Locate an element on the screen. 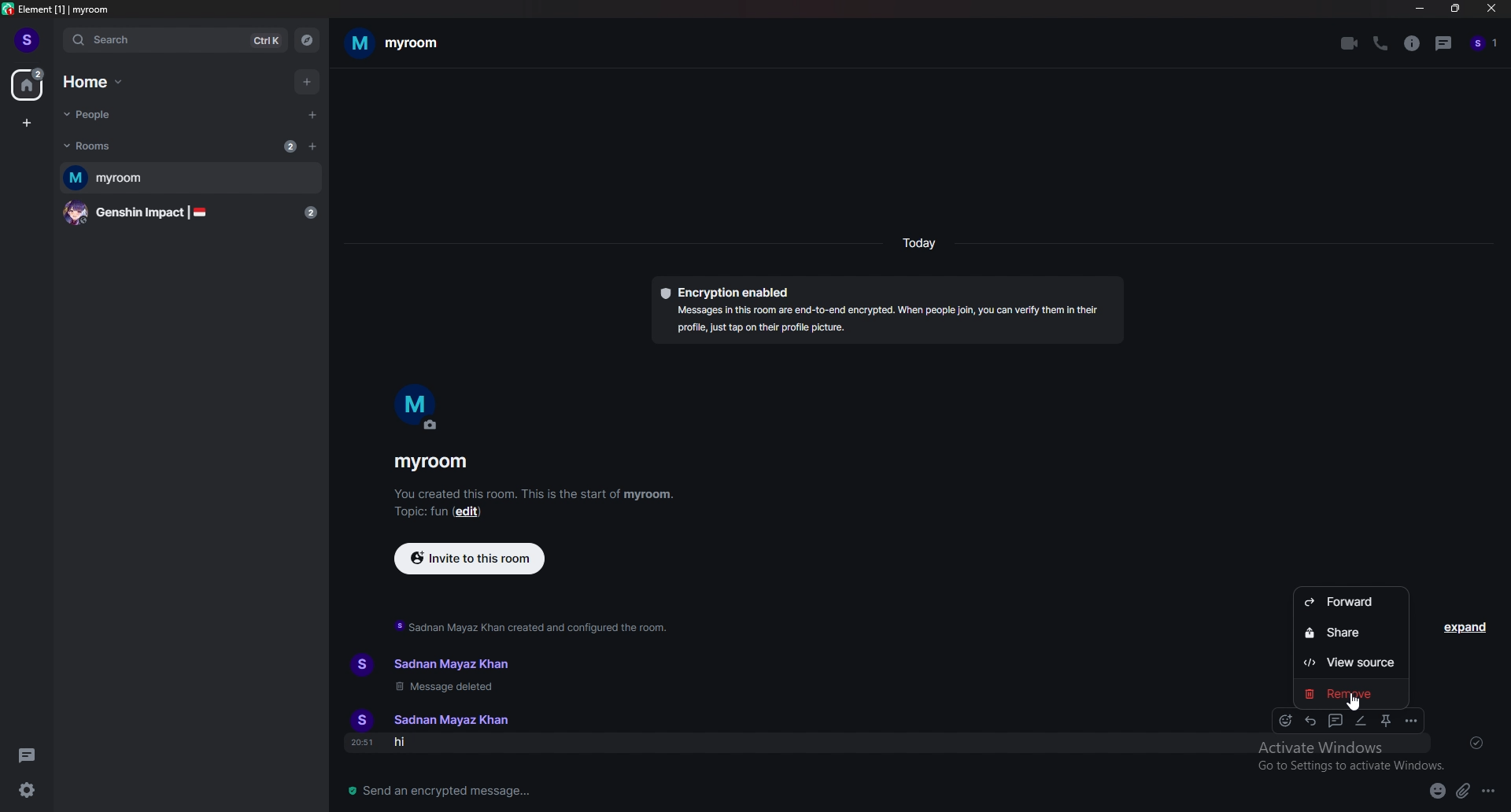 This screenshot has width=1511, height=812. myroom is located at coordinates (394, 42).